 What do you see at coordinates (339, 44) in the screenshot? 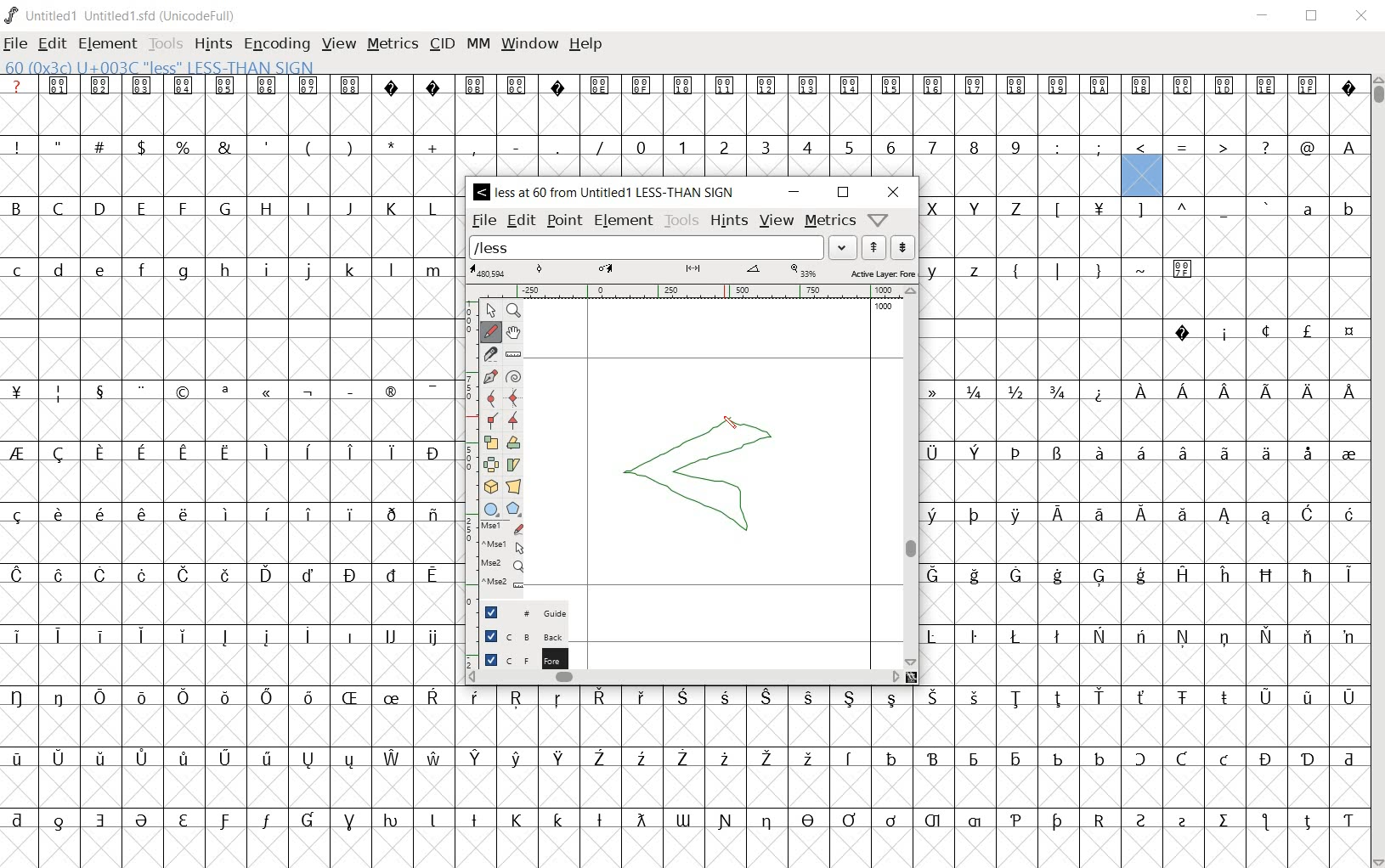
I see `view` at bounding box center [339, 44].